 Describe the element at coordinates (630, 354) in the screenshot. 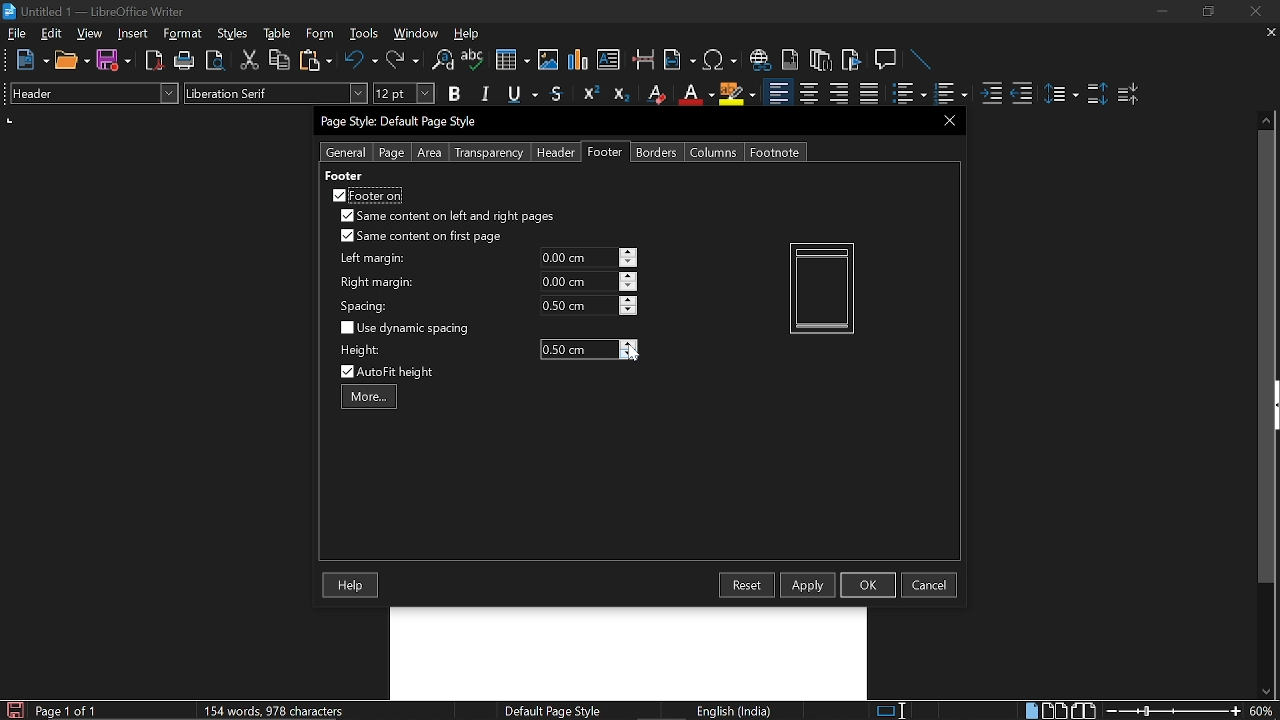

I see `Decrease height` at that location.